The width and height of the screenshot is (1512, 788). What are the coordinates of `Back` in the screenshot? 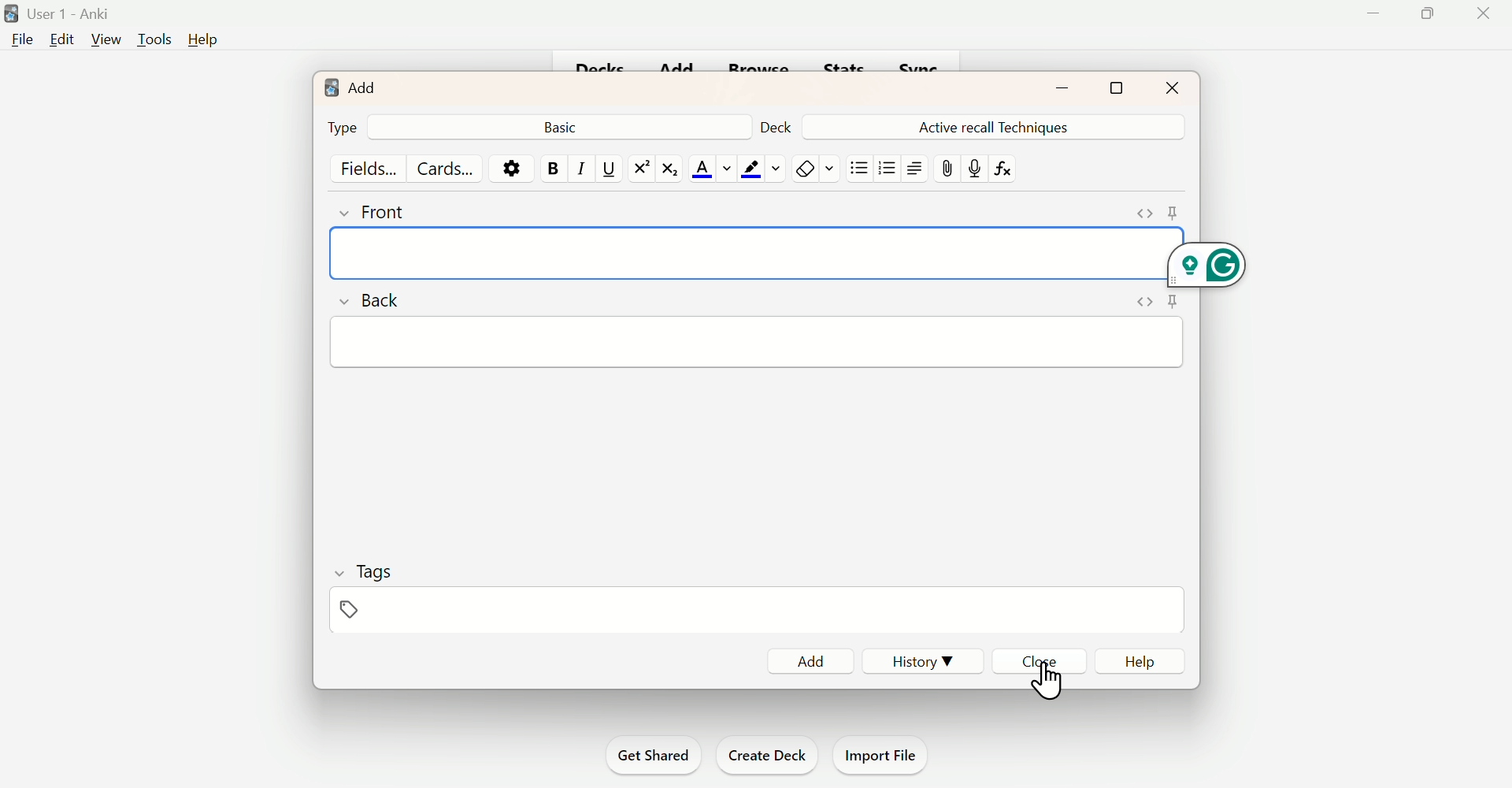 It's located at (373, 299).